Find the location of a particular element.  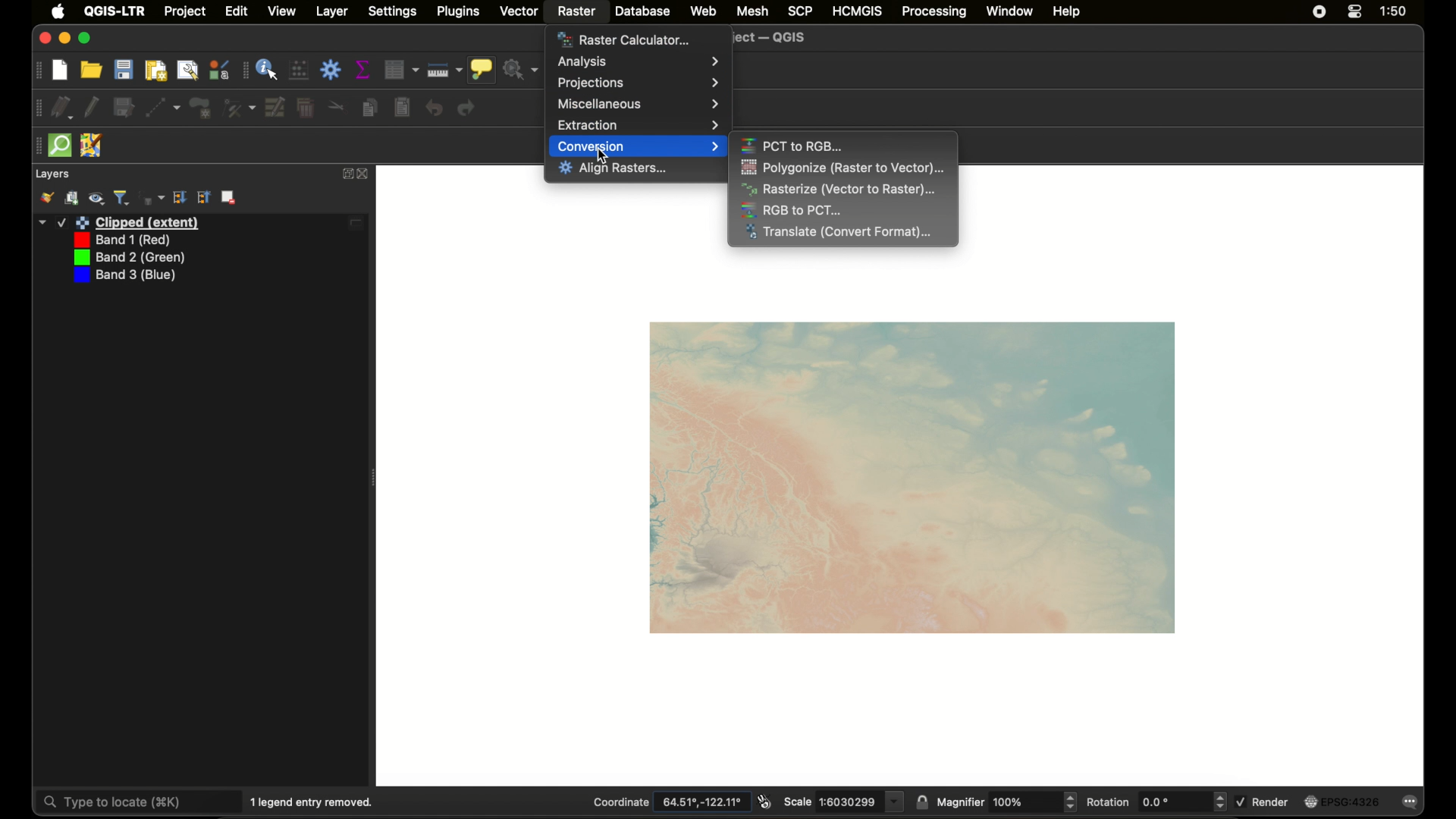

scp is located at coordinates (797, 10).